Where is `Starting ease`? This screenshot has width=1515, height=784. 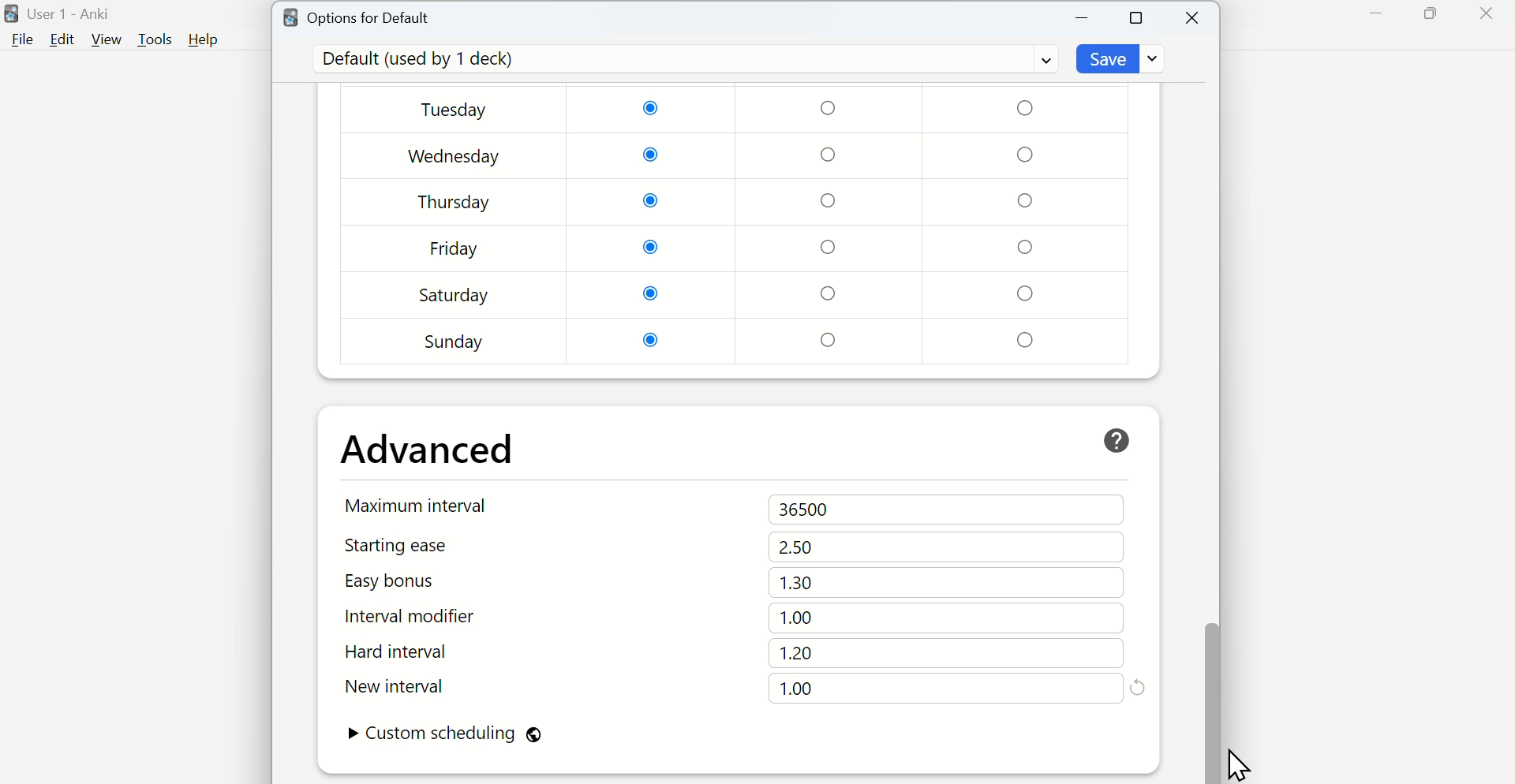 Starting ease is located at coordinates (417, 545).